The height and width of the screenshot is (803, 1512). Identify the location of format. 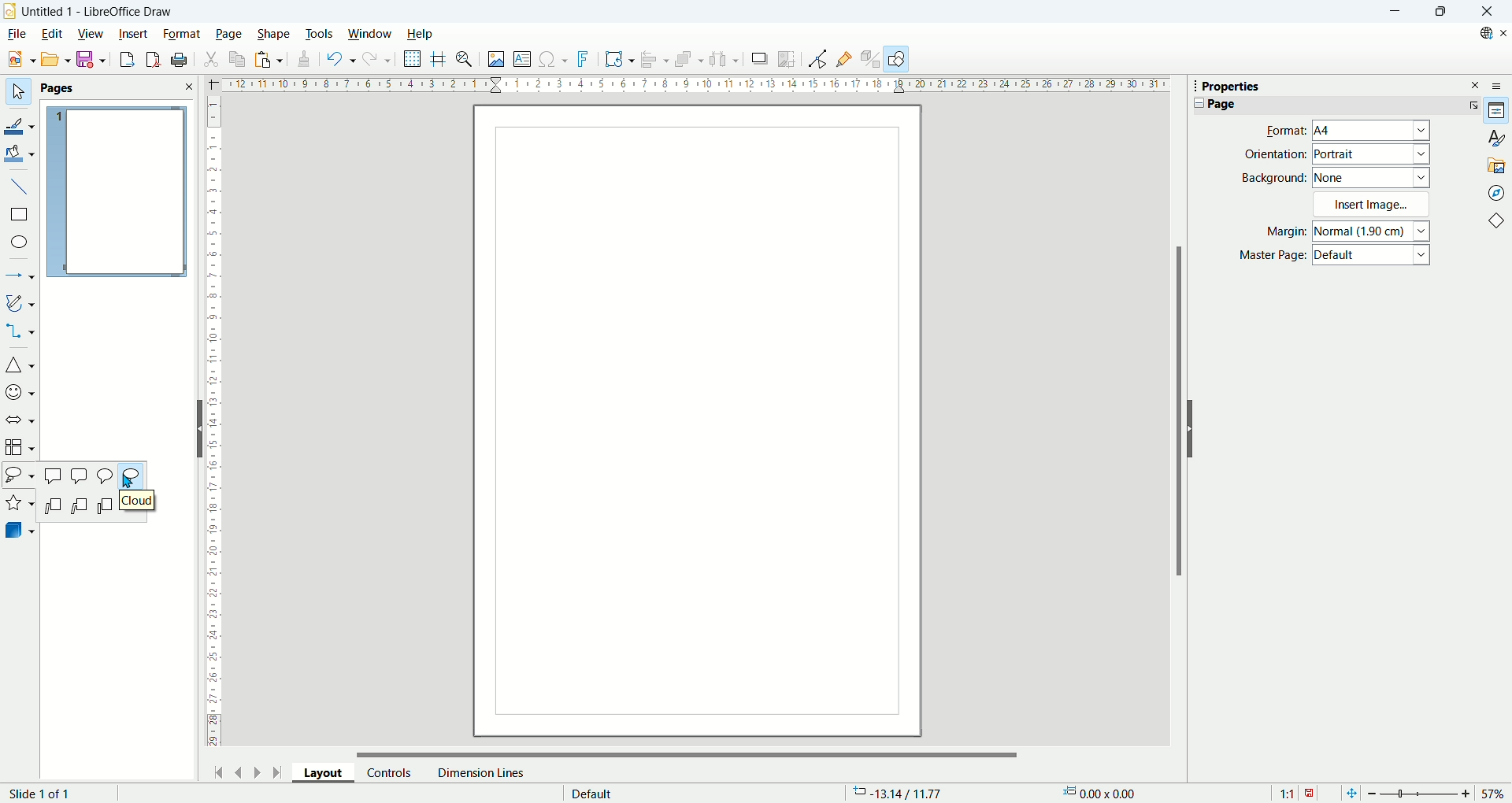
(182, 33).